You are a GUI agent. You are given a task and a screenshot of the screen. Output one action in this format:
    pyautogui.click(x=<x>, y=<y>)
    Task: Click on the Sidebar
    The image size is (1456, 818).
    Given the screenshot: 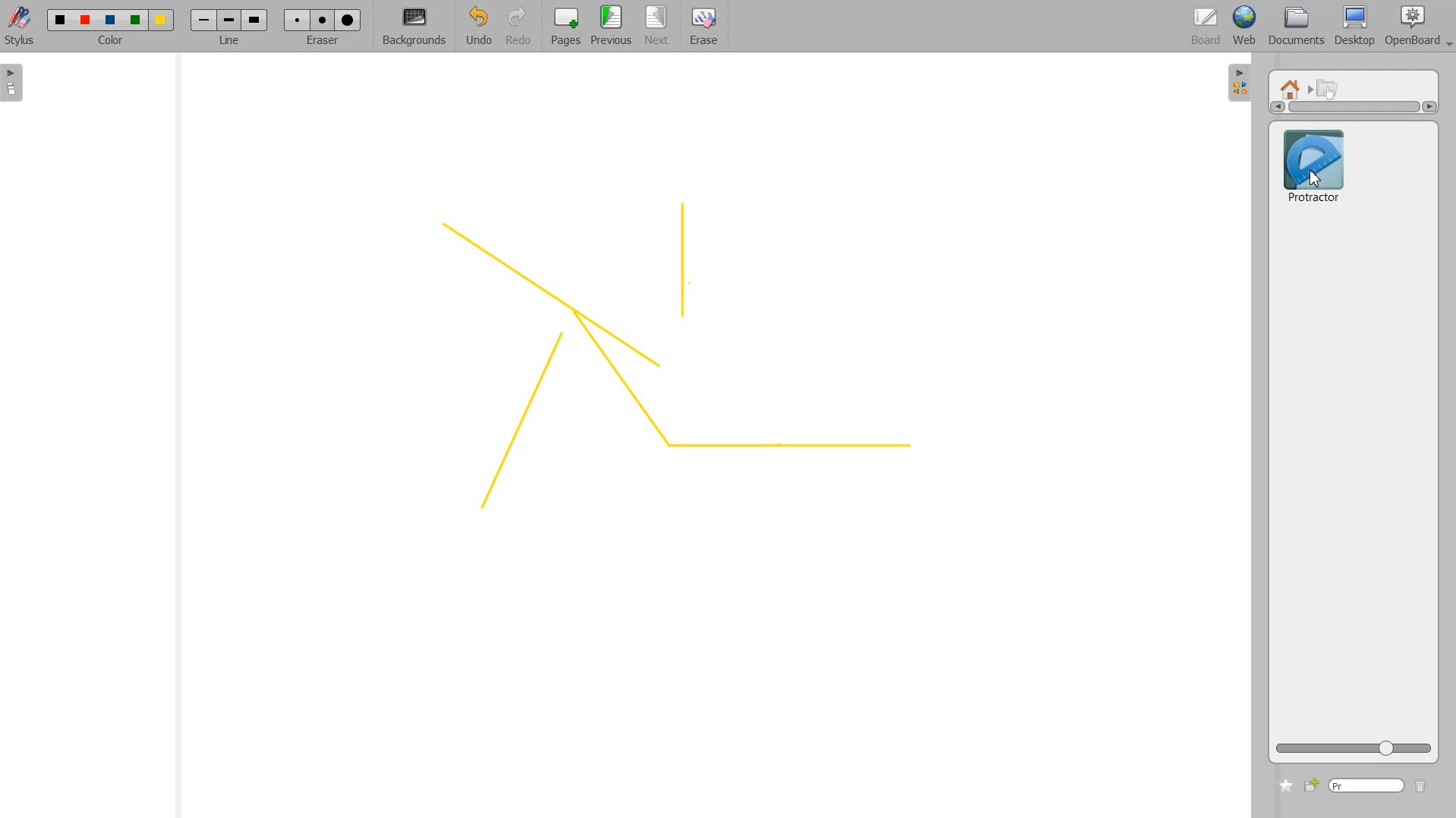 What is the action you would take?
    pyautogui.click(x=1240, y=81)
    